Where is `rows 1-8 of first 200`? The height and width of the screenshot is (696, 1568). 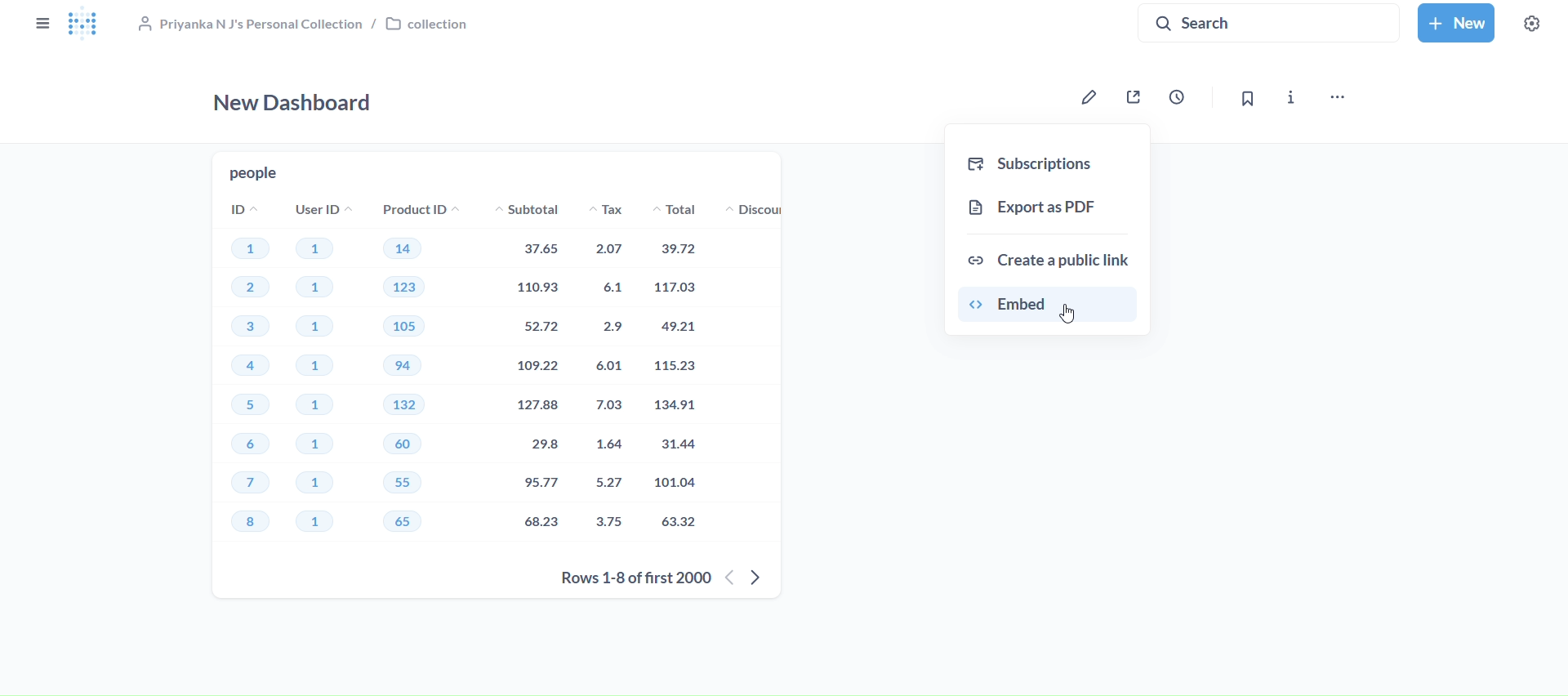
rows 1-8 of first 200 is located at coordinates (628, 579).